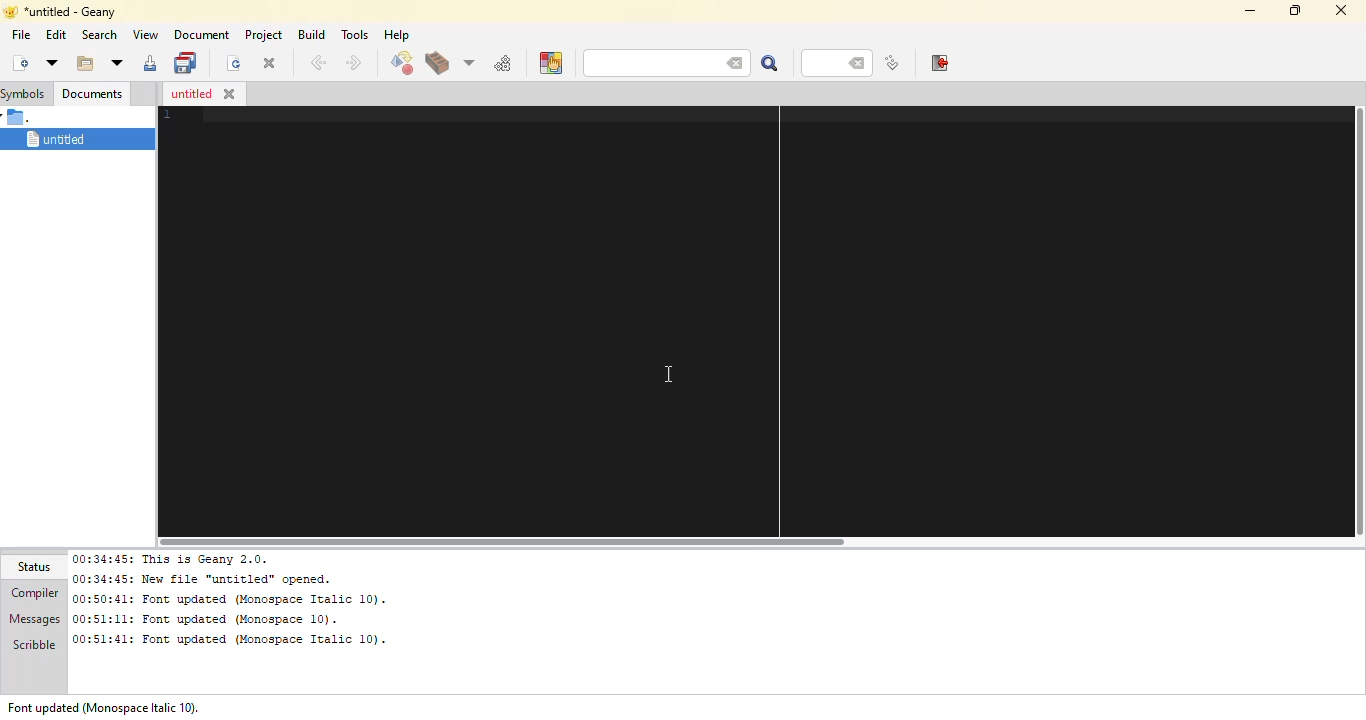 This screenshot has height=720, width=1366. What do you see at coordinates (51, 62) in the screenshot?
I see `new from template` at bounding box center [51, 62].